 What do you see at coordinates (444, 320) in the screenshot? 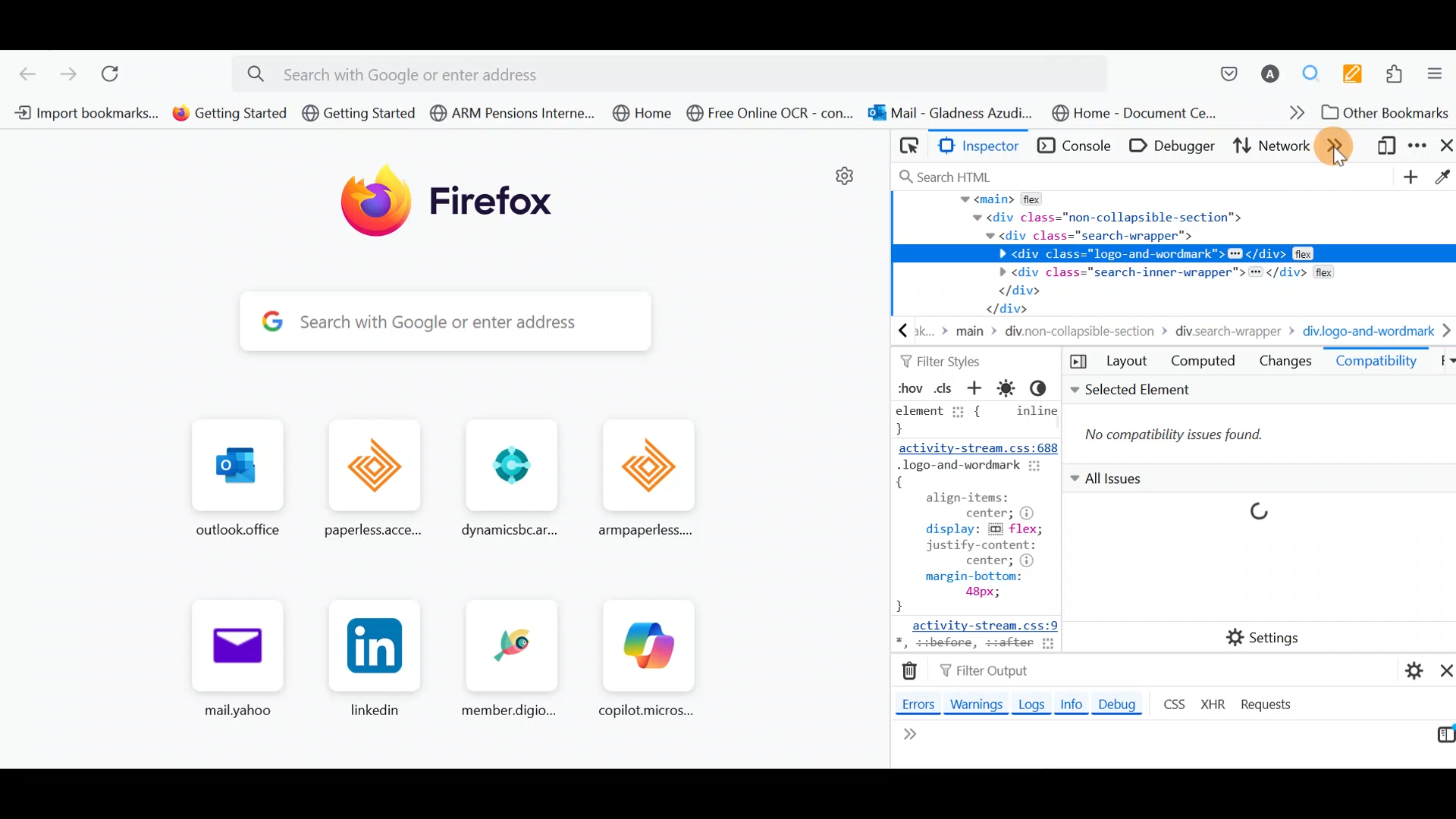
I see `Search bar` at bounding box center [444, 320].